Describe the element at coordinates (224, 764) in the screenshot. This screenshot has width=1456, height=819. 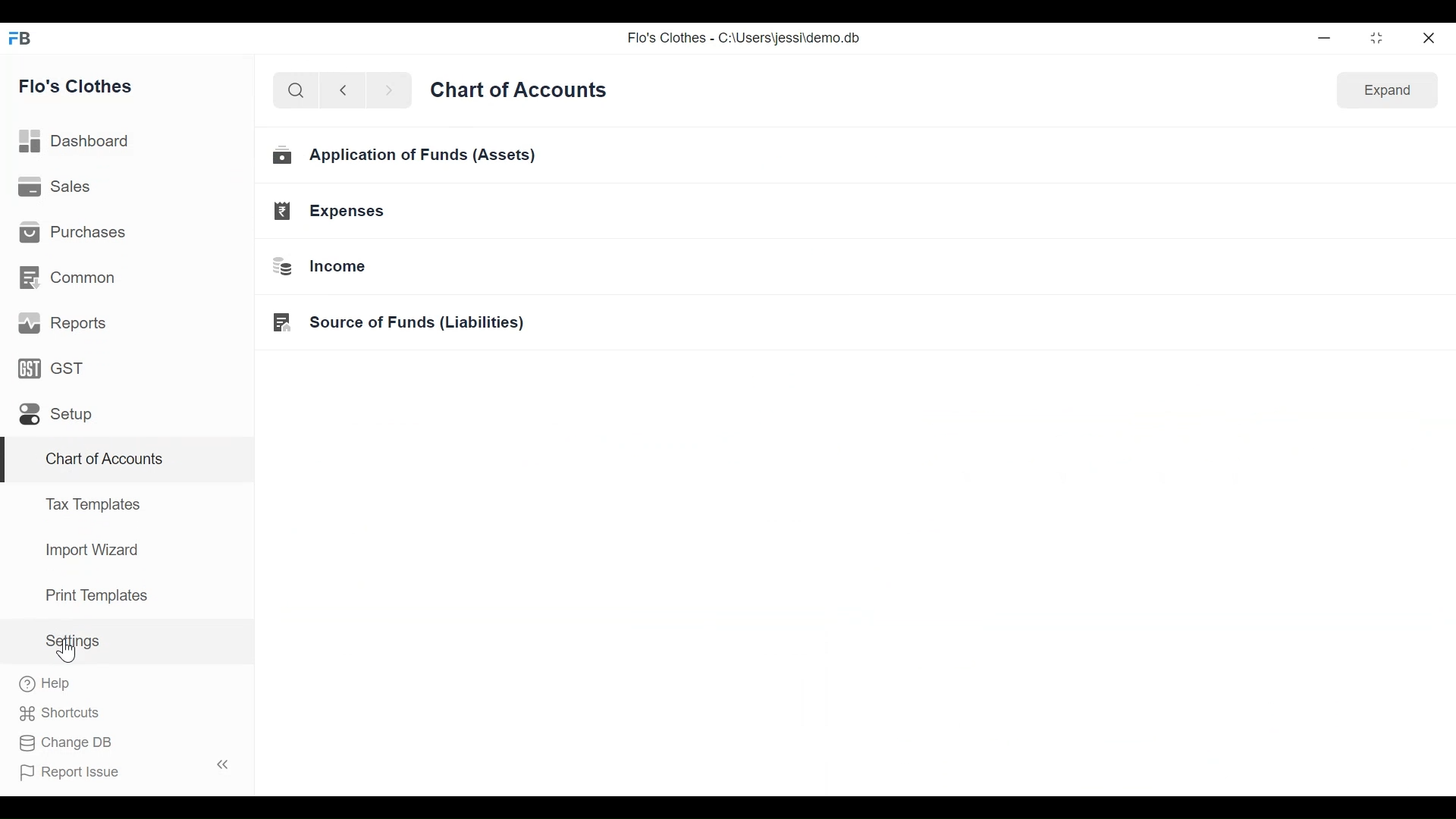
I see `toggle sidebar` at that location.